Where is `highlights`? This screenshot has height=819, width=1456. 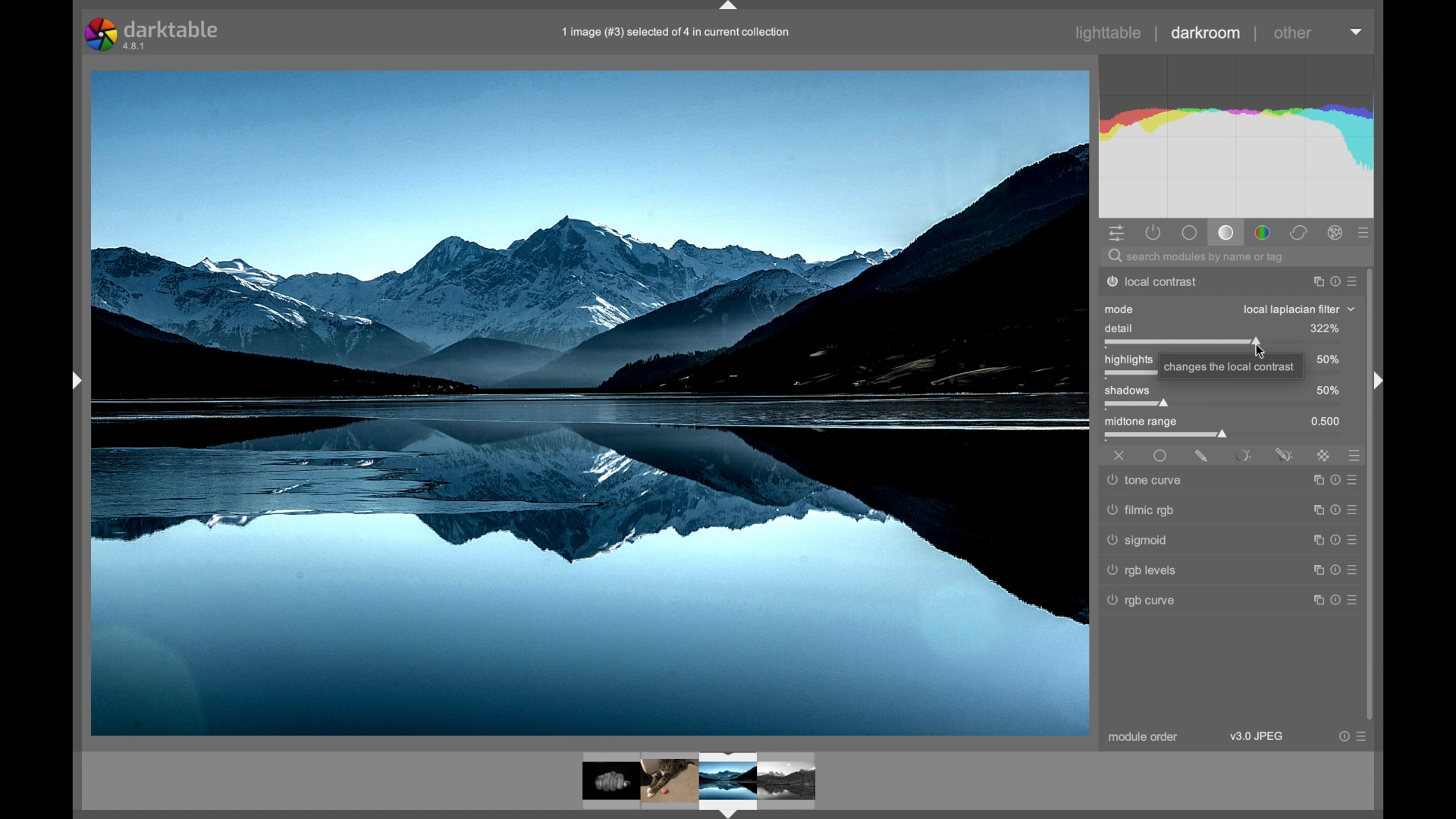 highlights is located at coordinates (1130, 360).